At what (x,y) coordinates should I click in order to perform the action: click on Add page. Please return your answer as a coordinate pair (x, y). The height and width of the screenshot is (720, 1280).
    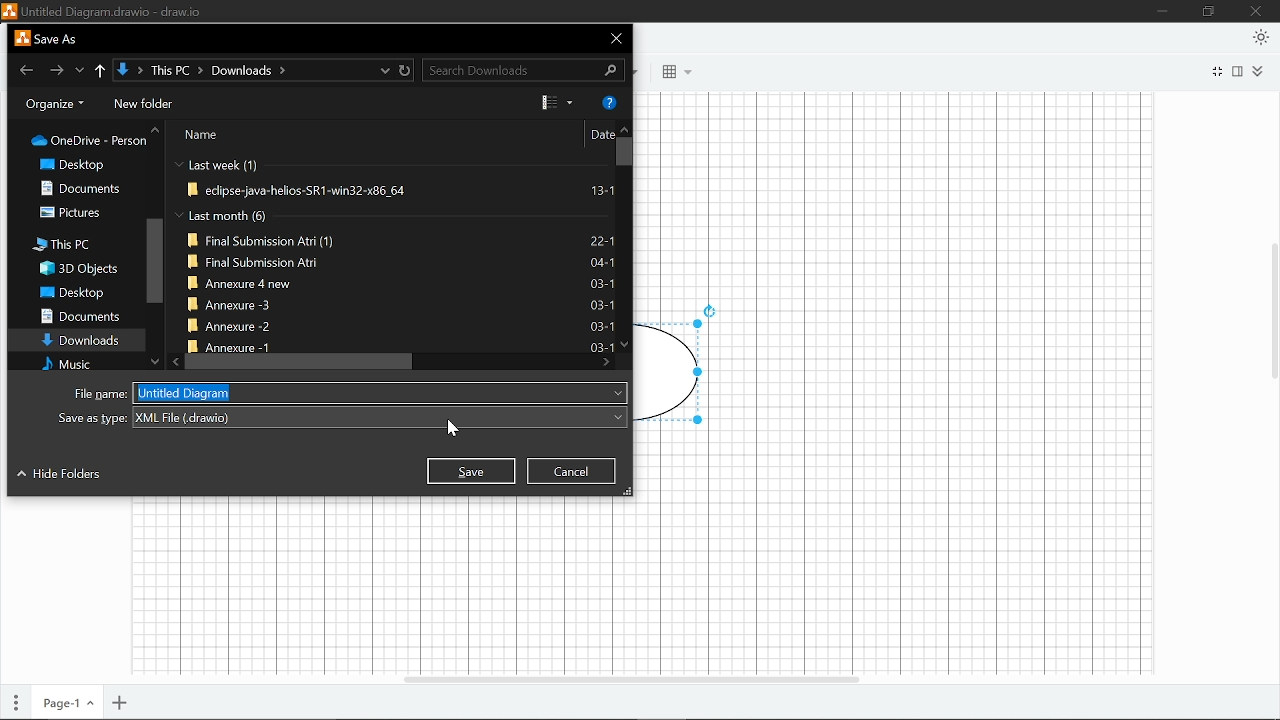
    Looking at the image, I should click on (121, 701).